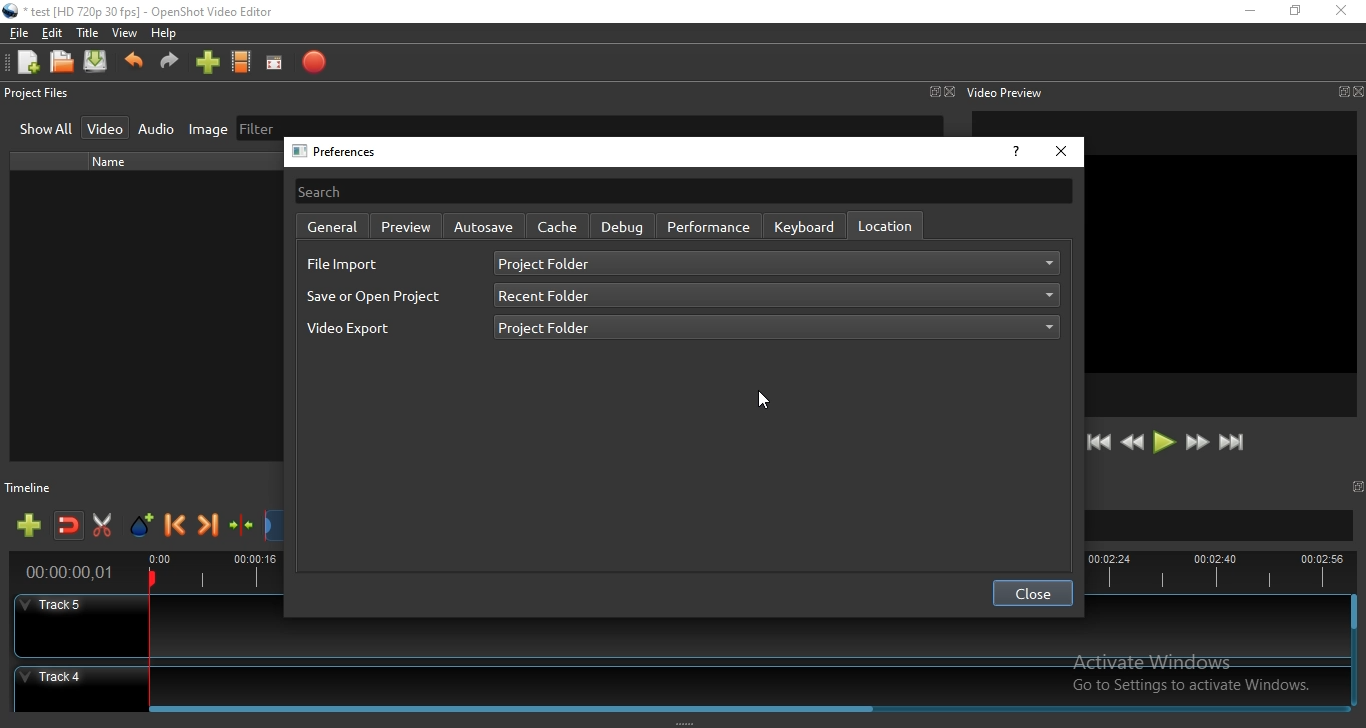  I want to click on preview, so click(406, 225).